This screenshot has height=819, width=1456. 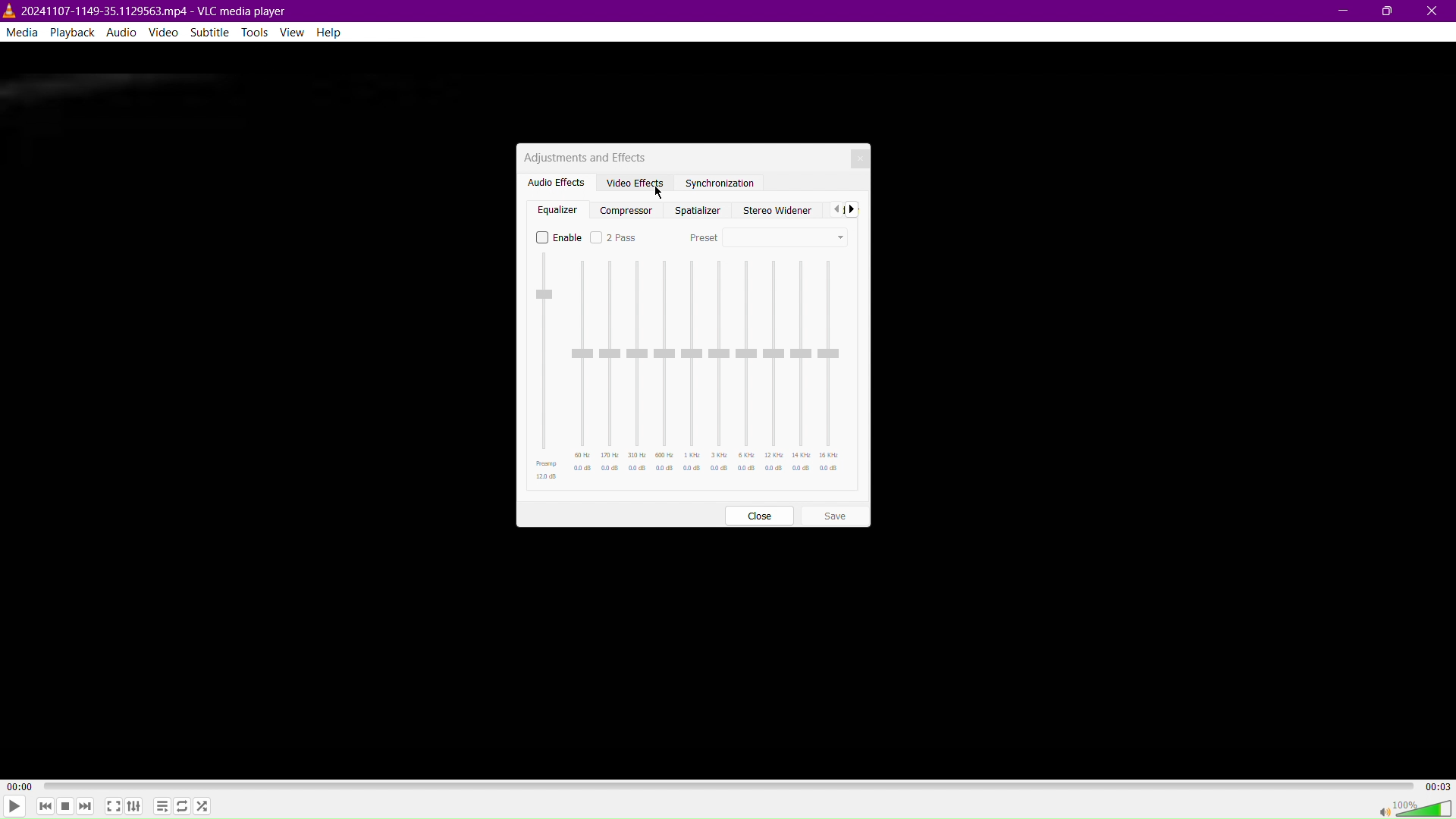 What do you see at coordinates (800, 369) in the screenshot?
I see `14 KHz Equalizer` at bounding box center [800, 369].